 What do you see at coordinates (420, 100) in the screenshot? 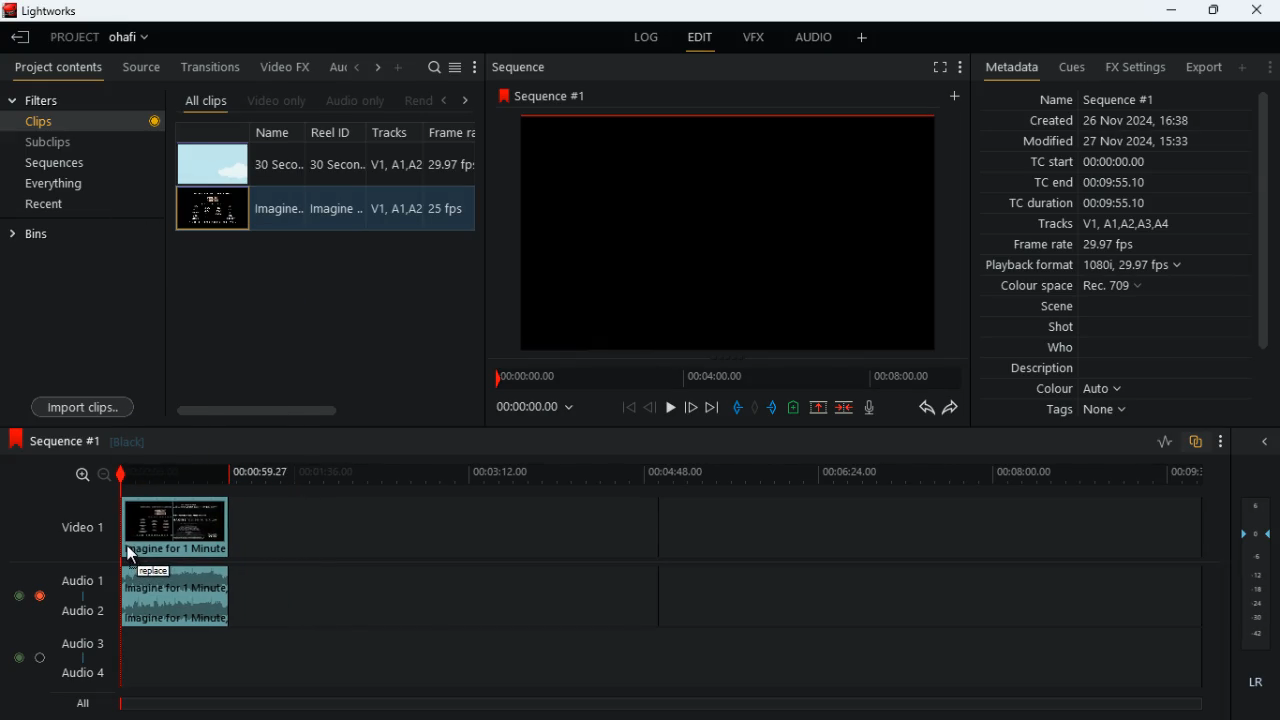
I see `rend` at bounding box center [420, 100].